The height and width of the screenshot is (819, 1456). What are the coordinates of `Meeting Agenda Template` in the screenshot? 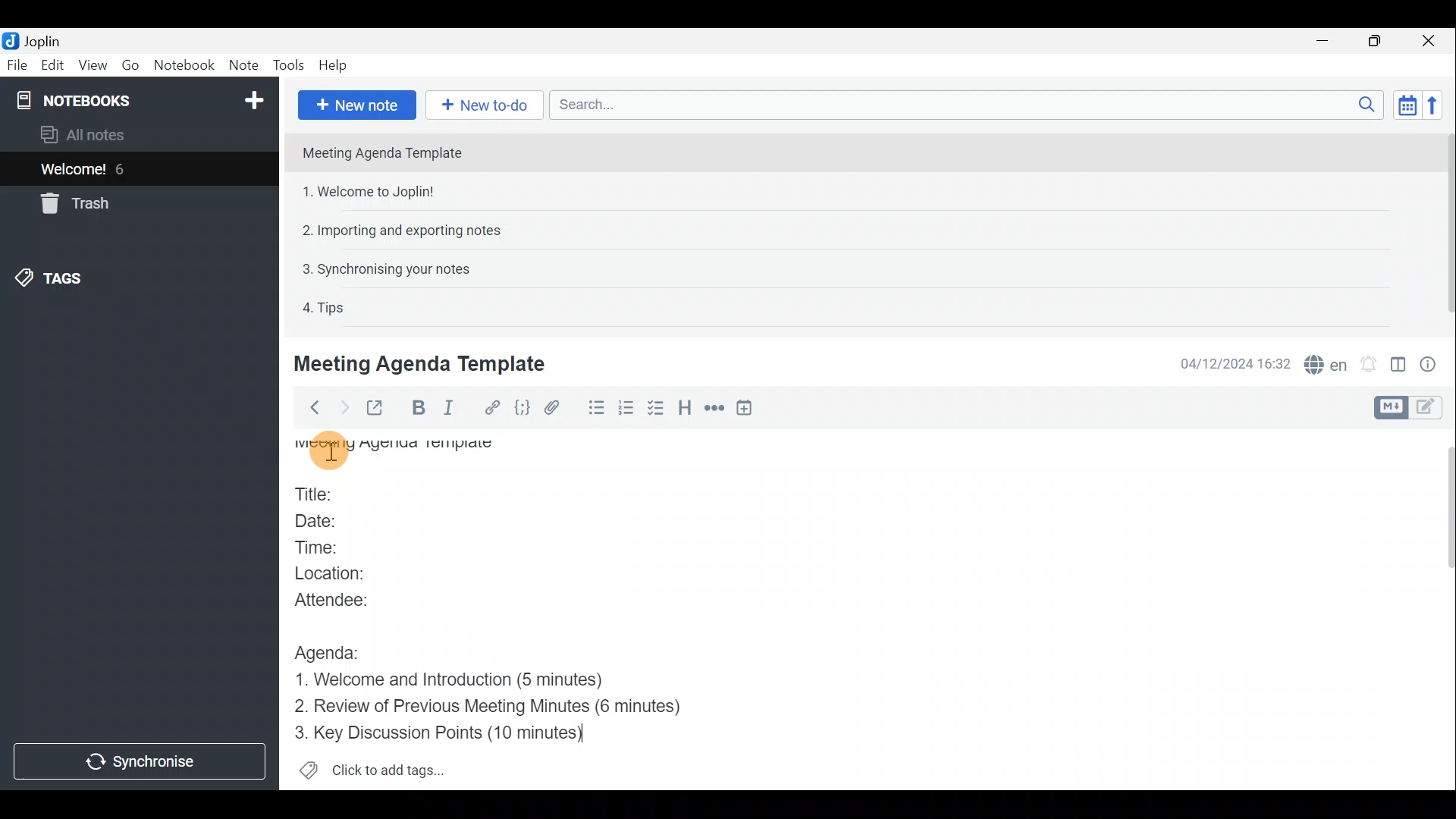 It's located at (422, 363).